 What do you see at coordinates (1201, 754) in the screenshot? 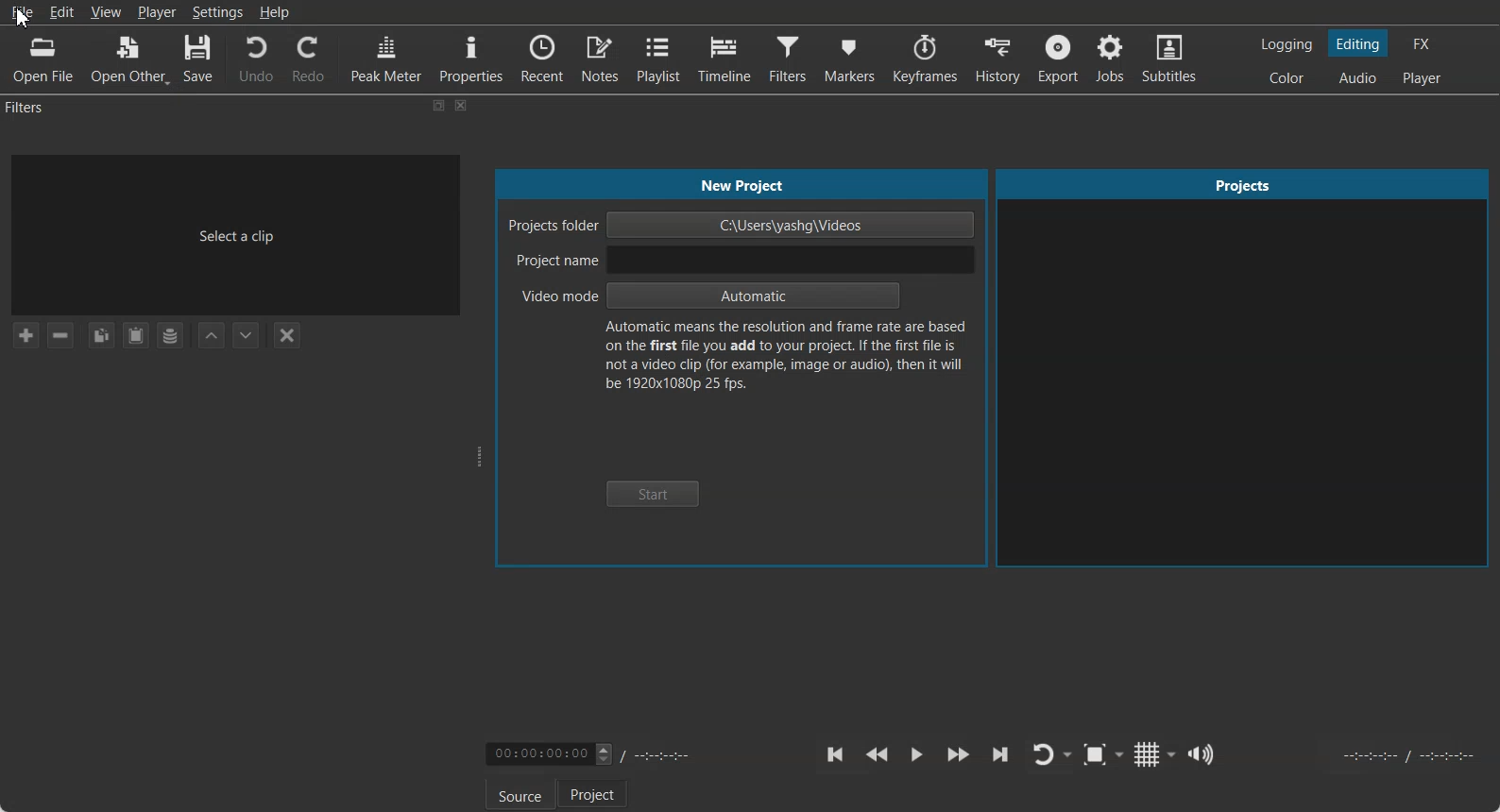
I see `Show the volume control` at bounding box center [1201, 754].